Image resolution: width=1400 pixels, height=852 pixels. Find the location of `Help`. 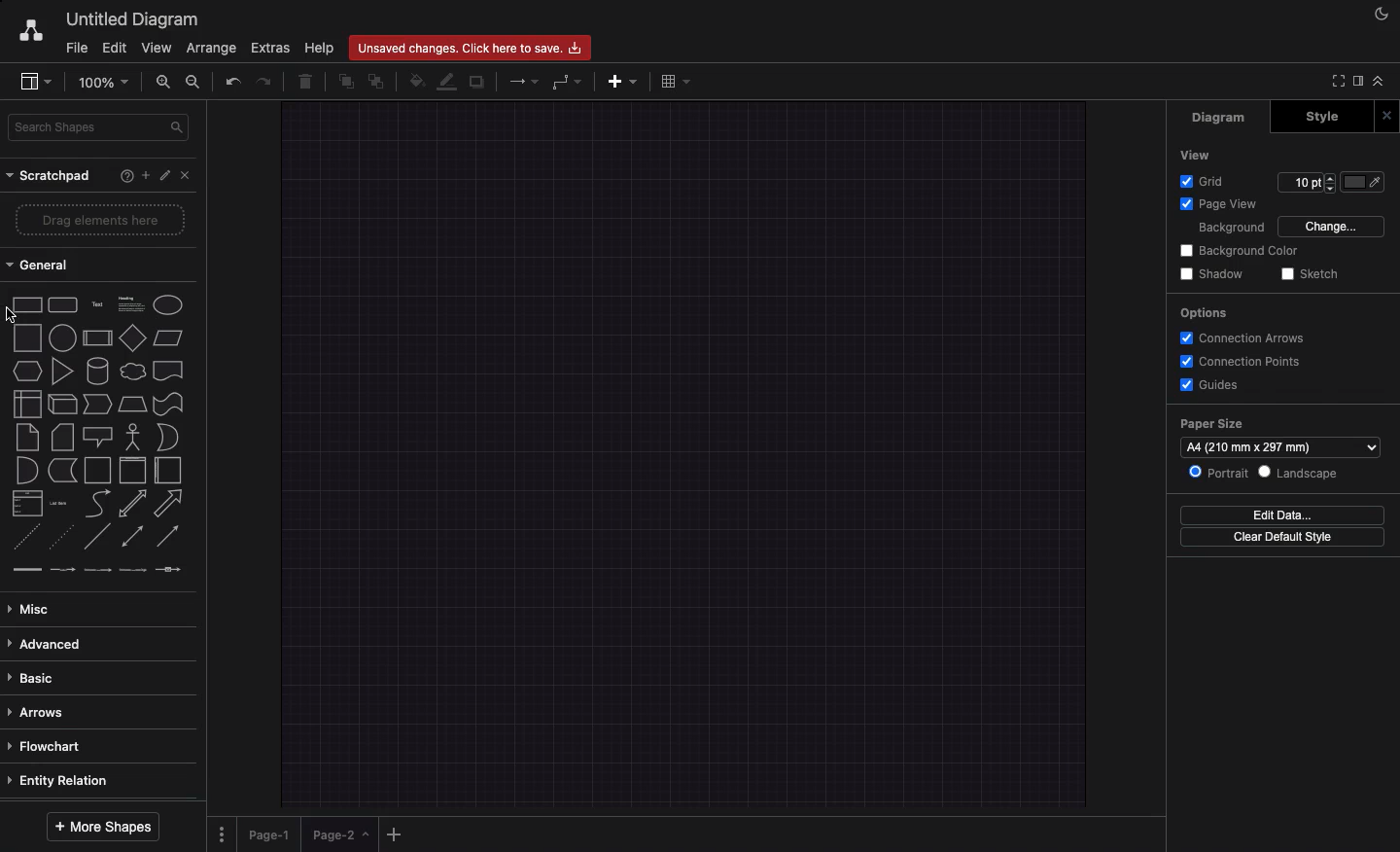

Help is located at coordinates (320, 48).